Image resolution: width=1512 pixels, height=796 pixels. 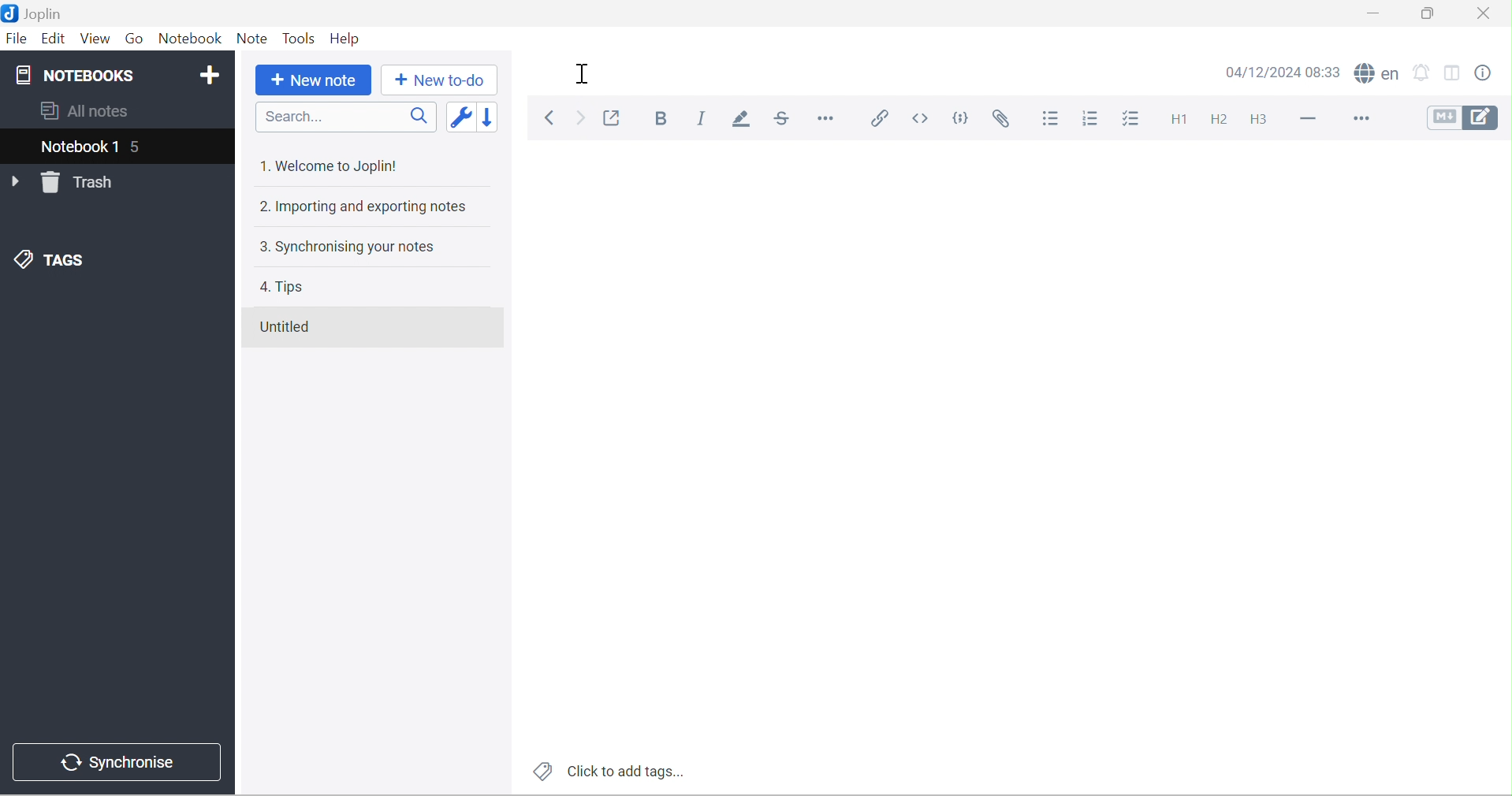 What do you see at coordinates (1423, 74) in the screenshot?
I see `Set alarm` at bounding box center [1423, 74].